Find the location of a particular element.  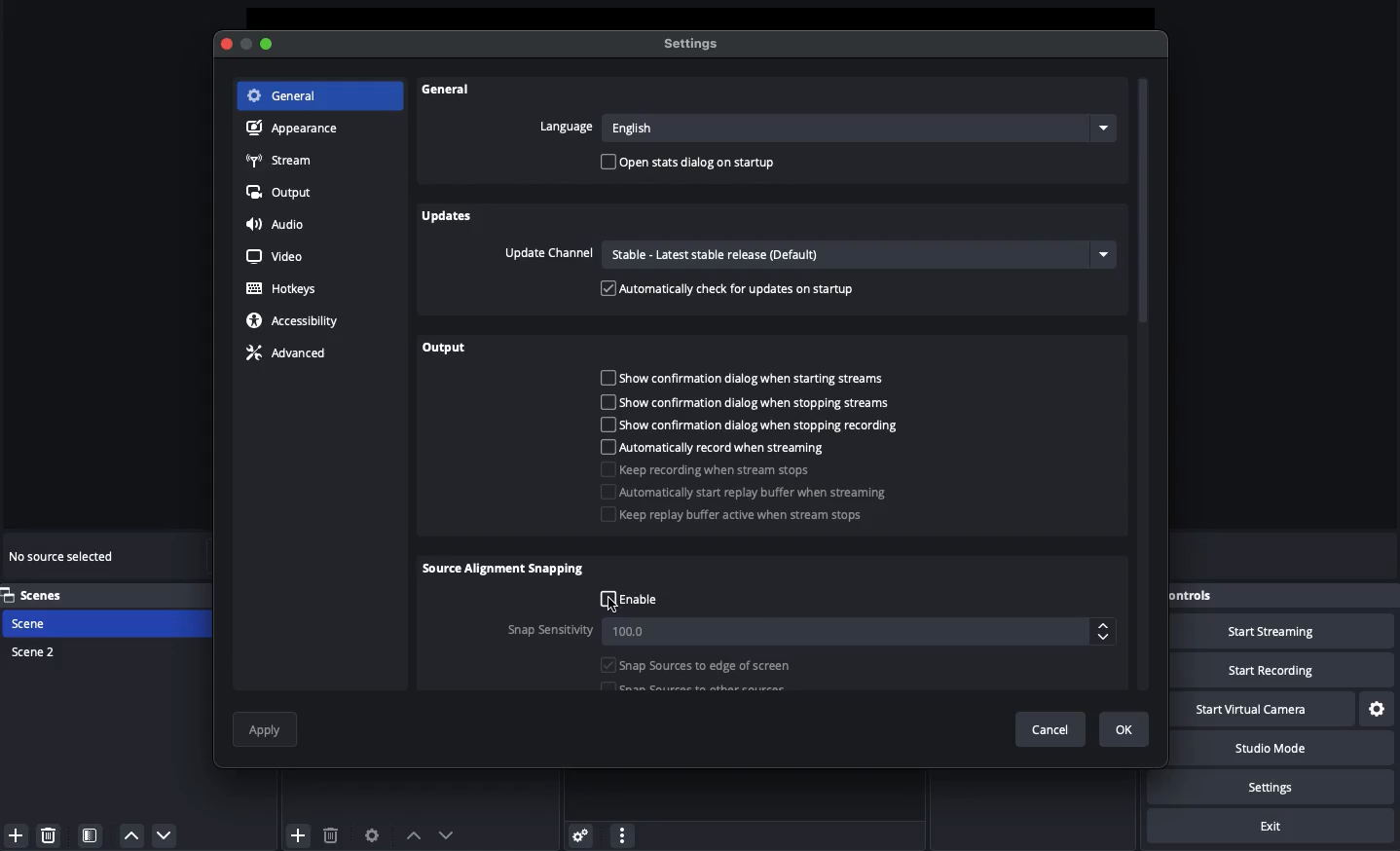

Bugger is located at coordinates (755, 504).